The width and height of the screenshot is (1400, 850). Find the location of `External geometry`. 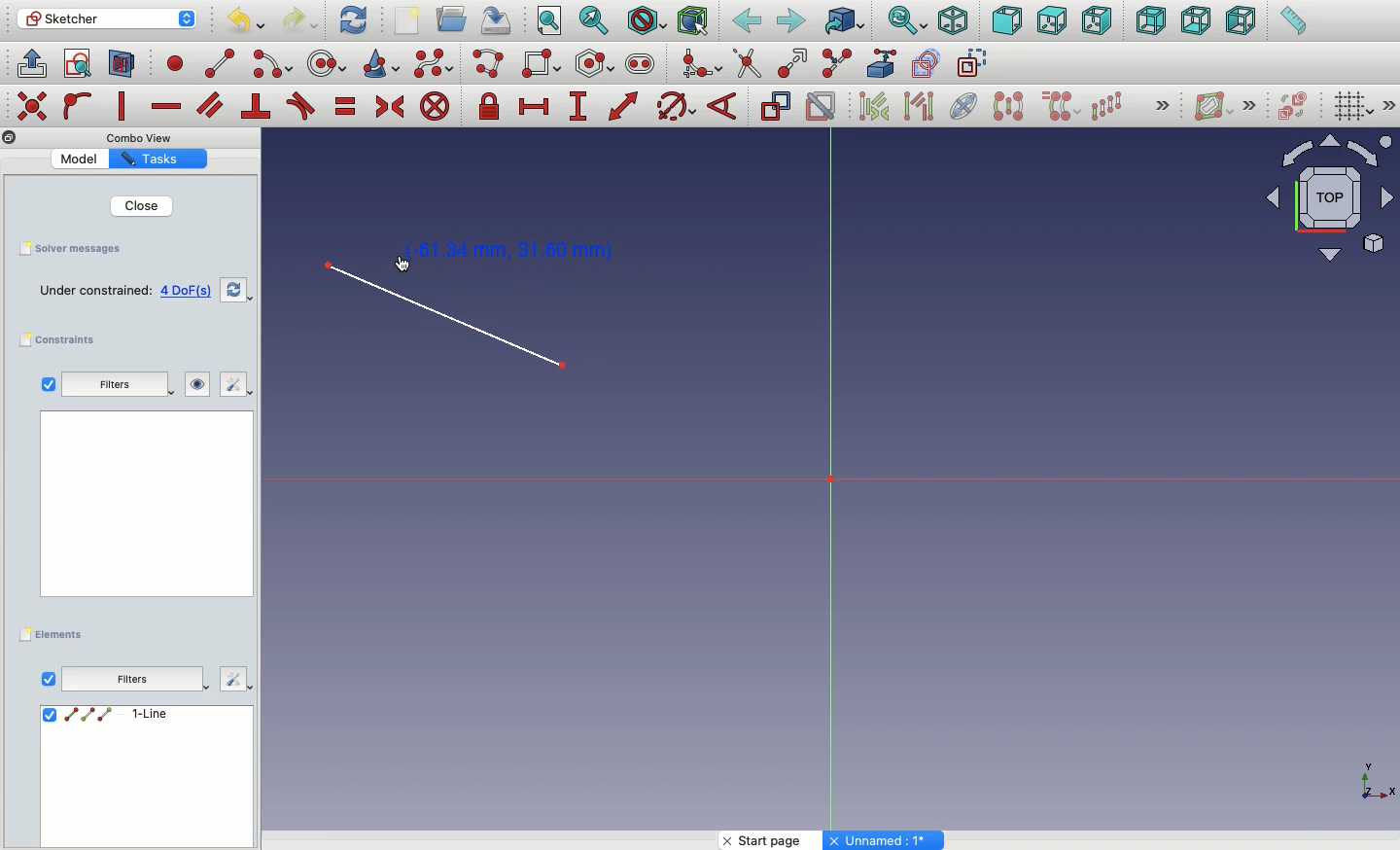

External geometry is located at coordinates (879, 62).